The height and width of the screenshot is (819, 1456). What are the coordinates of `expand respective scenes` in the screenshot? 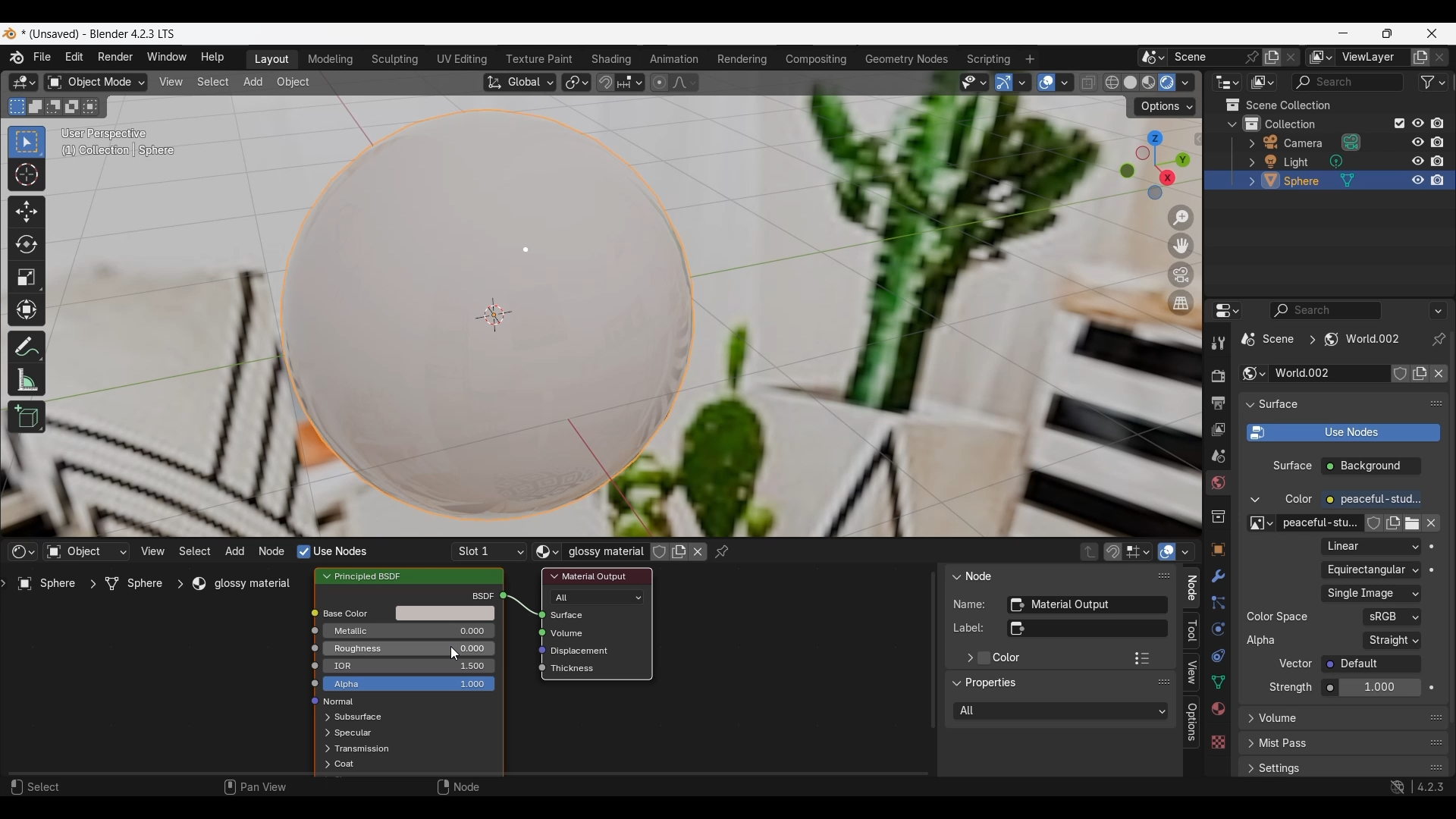 It's located at (325, 749).